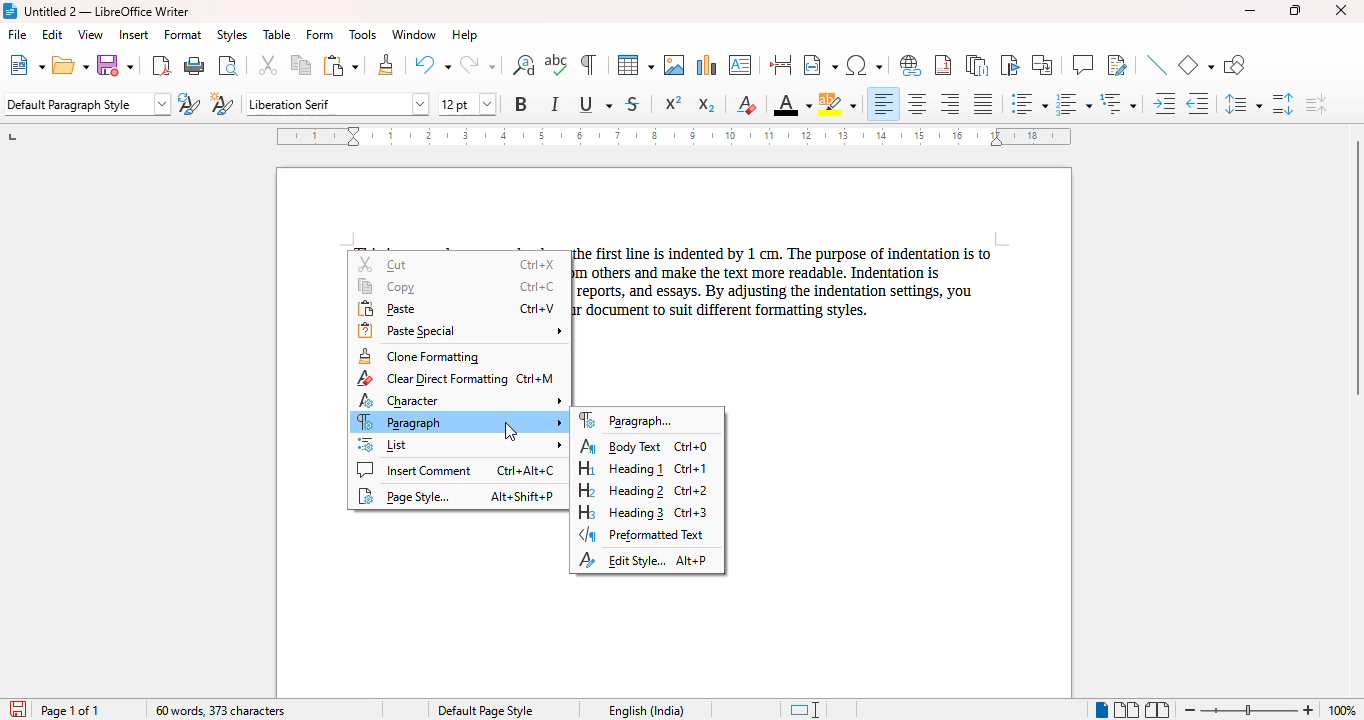 The image size is (1364, 720). What do you see at coordinates (523, 64) in the screenshot?
I see `find and replace` at bounding box center [523, 64].